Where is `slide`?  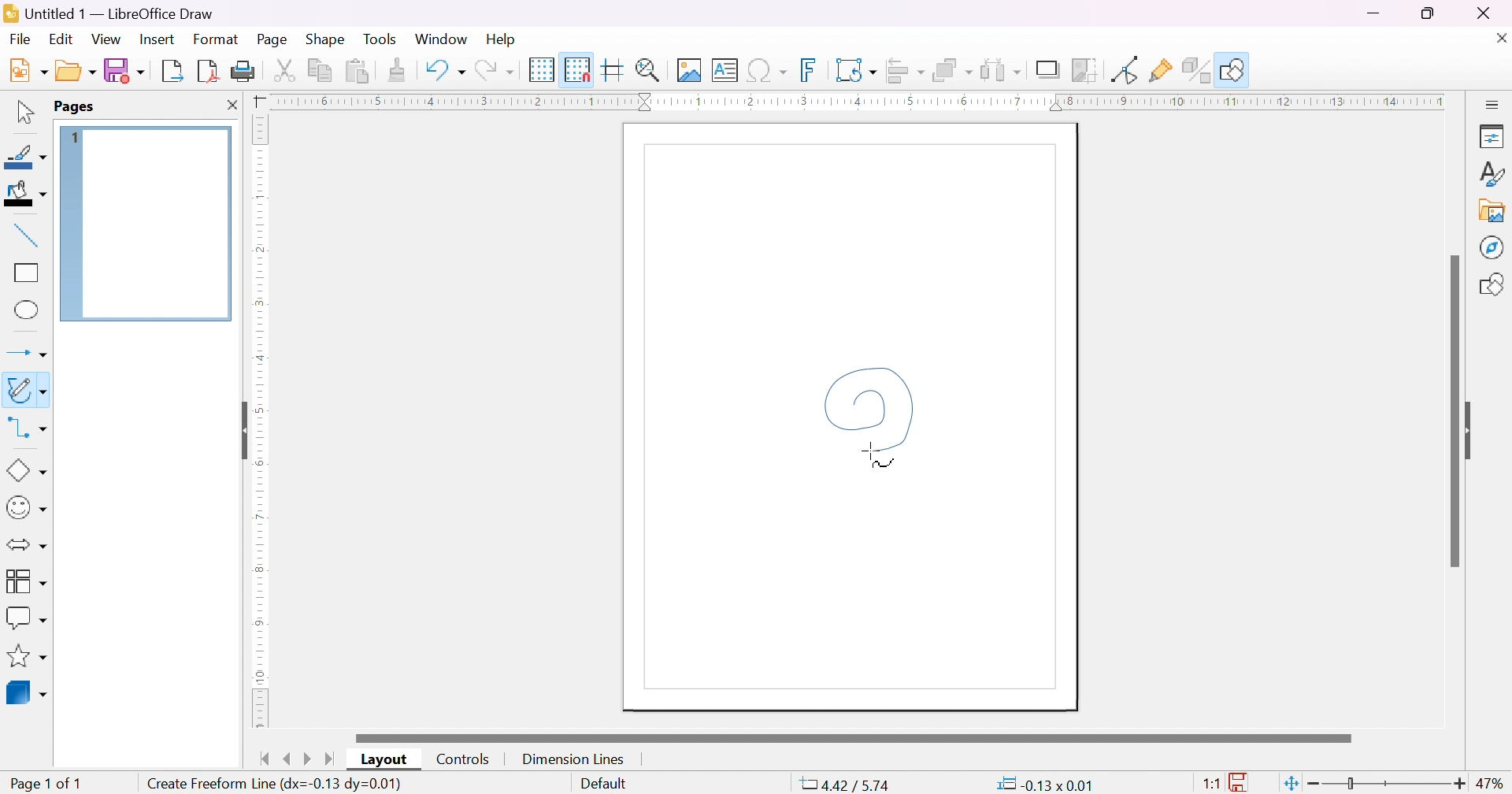
slide is located at coordinates (1473, 429).